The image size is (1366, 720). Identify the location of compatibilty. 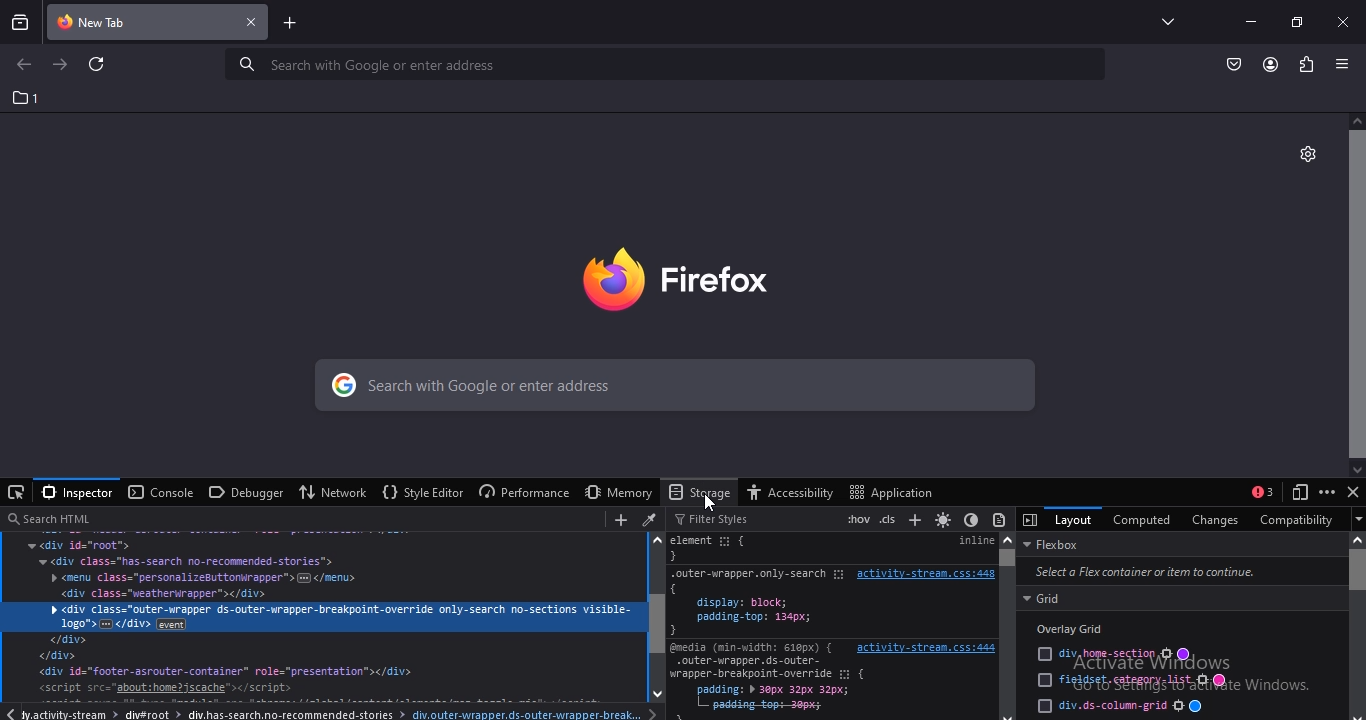
(1293, 518).